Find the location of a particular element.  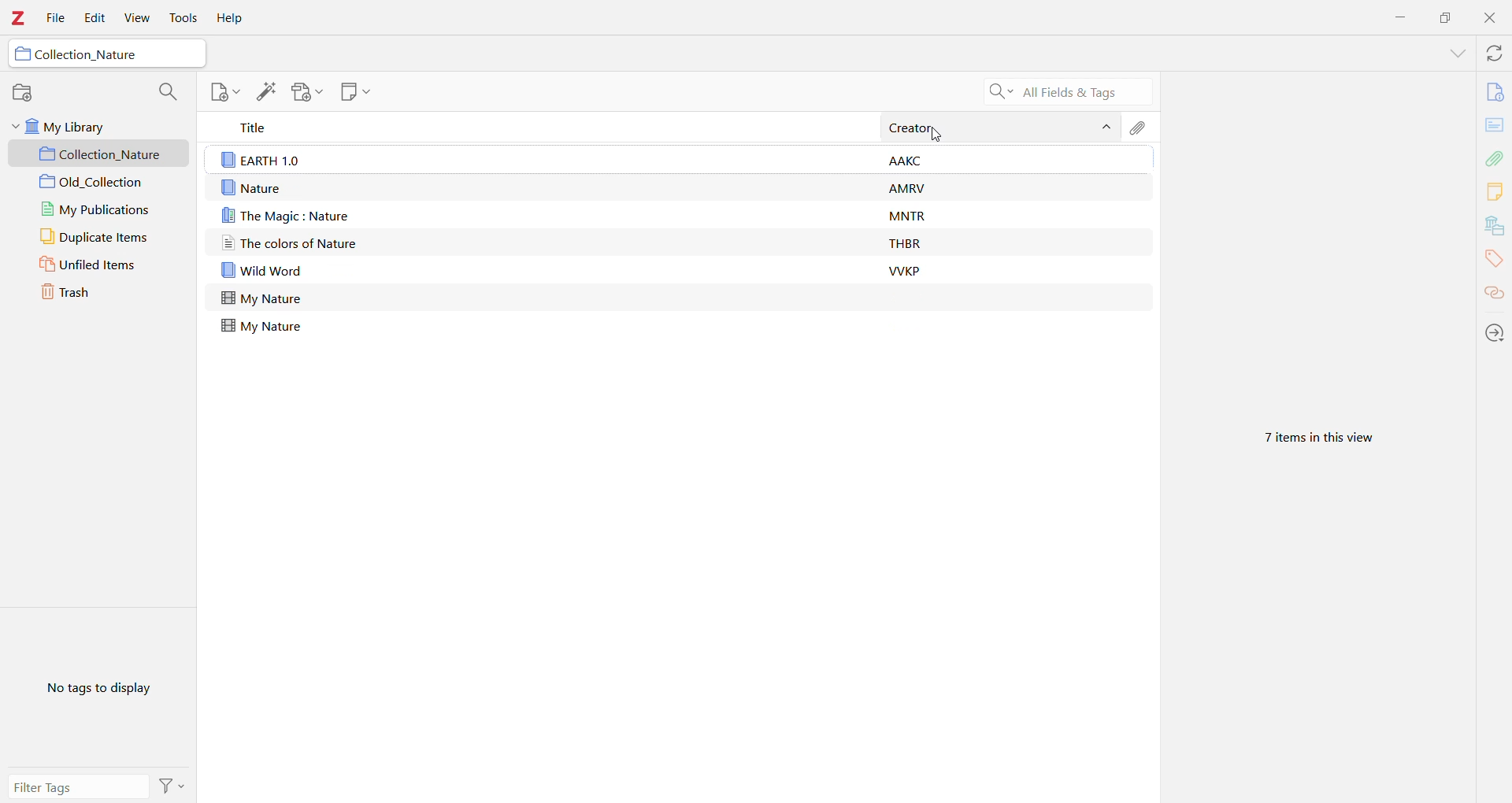

The color of Nature is located at coordinates (343, 242).